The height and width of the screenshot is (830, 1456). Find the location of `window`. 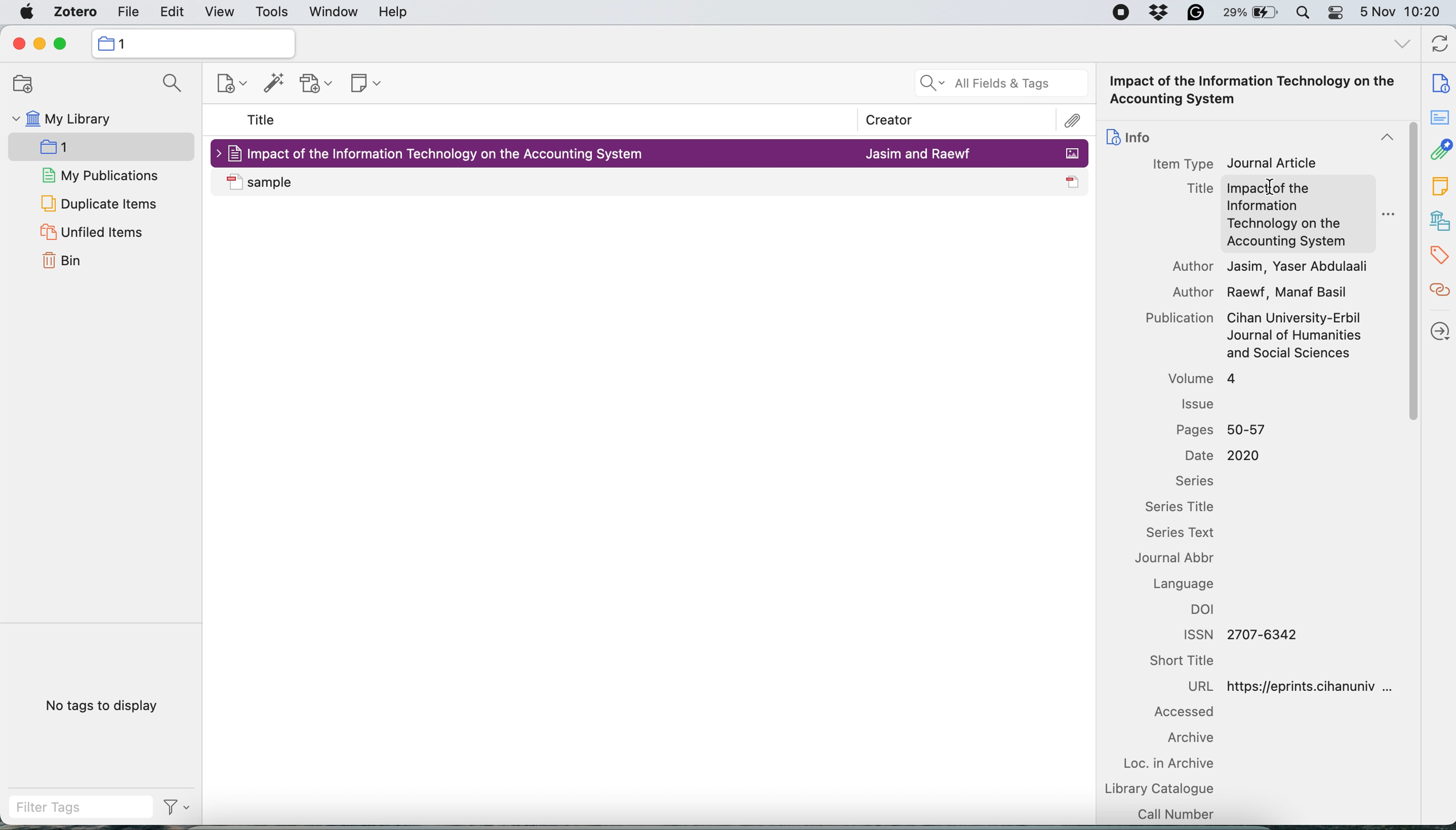

window is located at coordinates (334, 12).